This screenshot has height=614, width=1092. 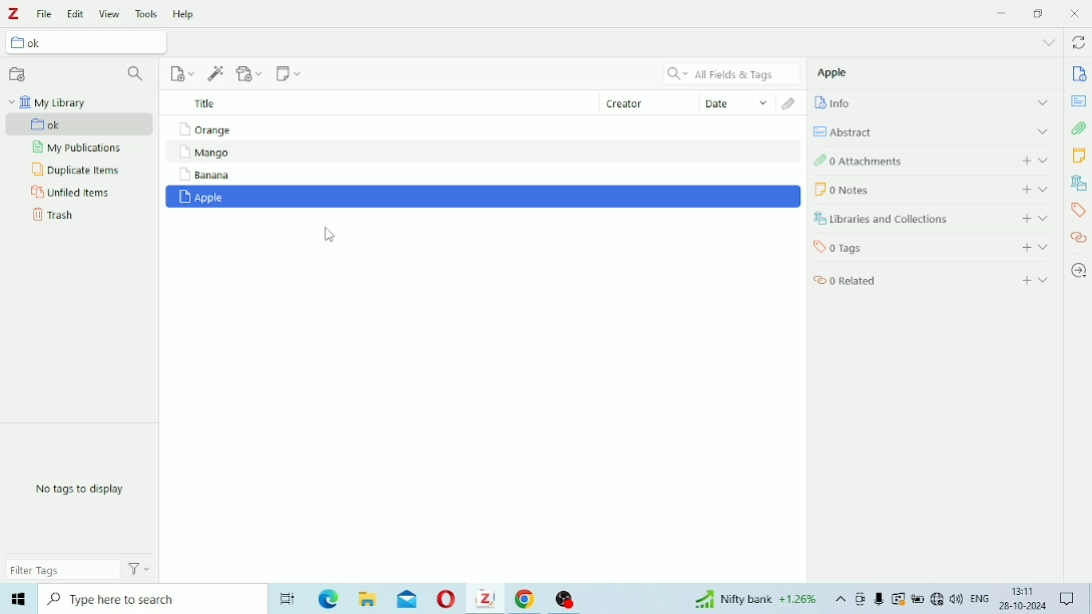 What do you see at coordinates (77, 171) in the screenshot?
I see `Duplicate items.` at bounding box center [77, 171].